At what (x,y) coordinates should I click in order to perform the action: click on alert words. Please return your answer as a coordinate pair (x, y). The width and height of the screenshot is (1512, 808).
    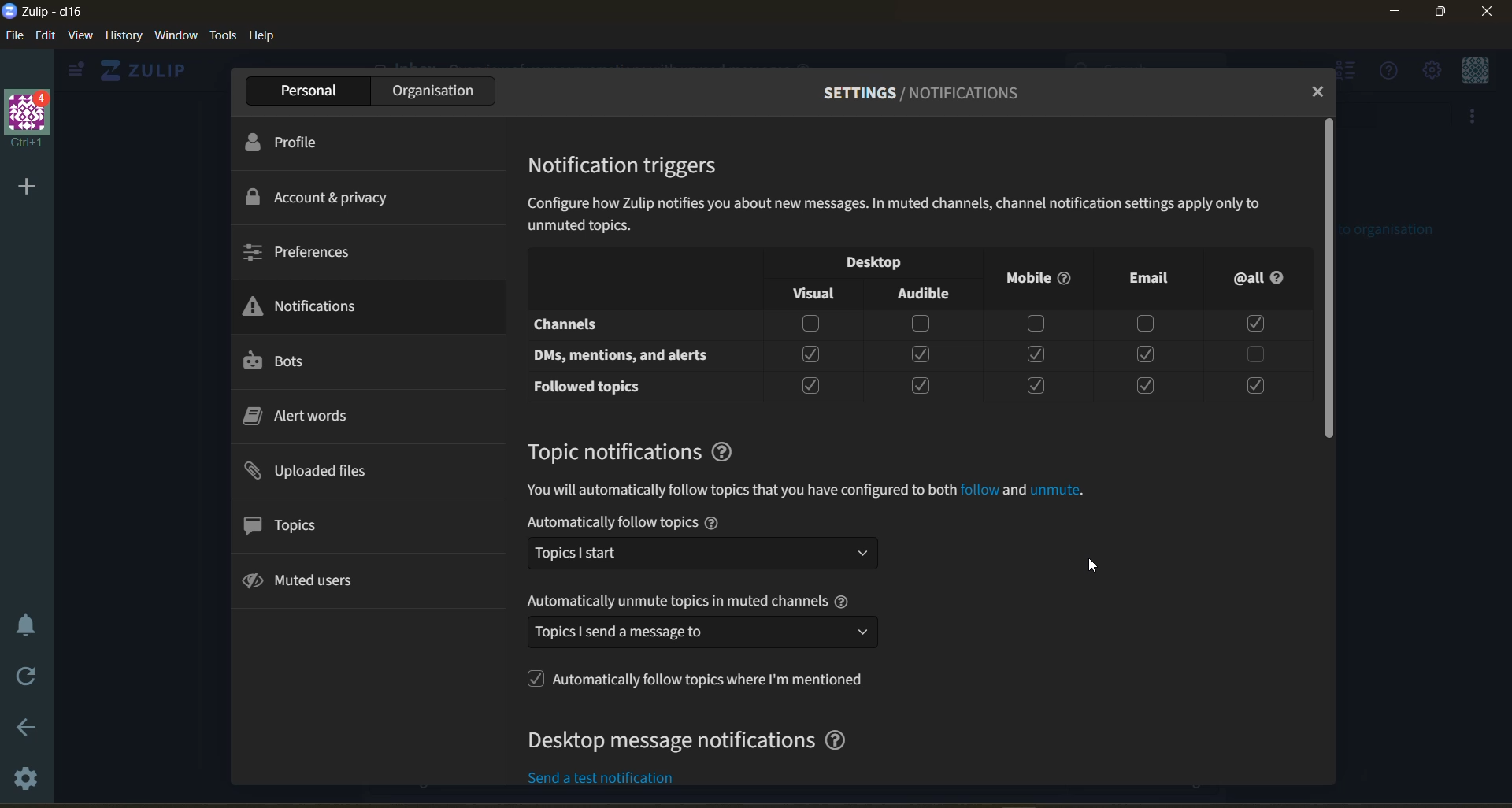
    Looking at the image, I should click on (307, 414).